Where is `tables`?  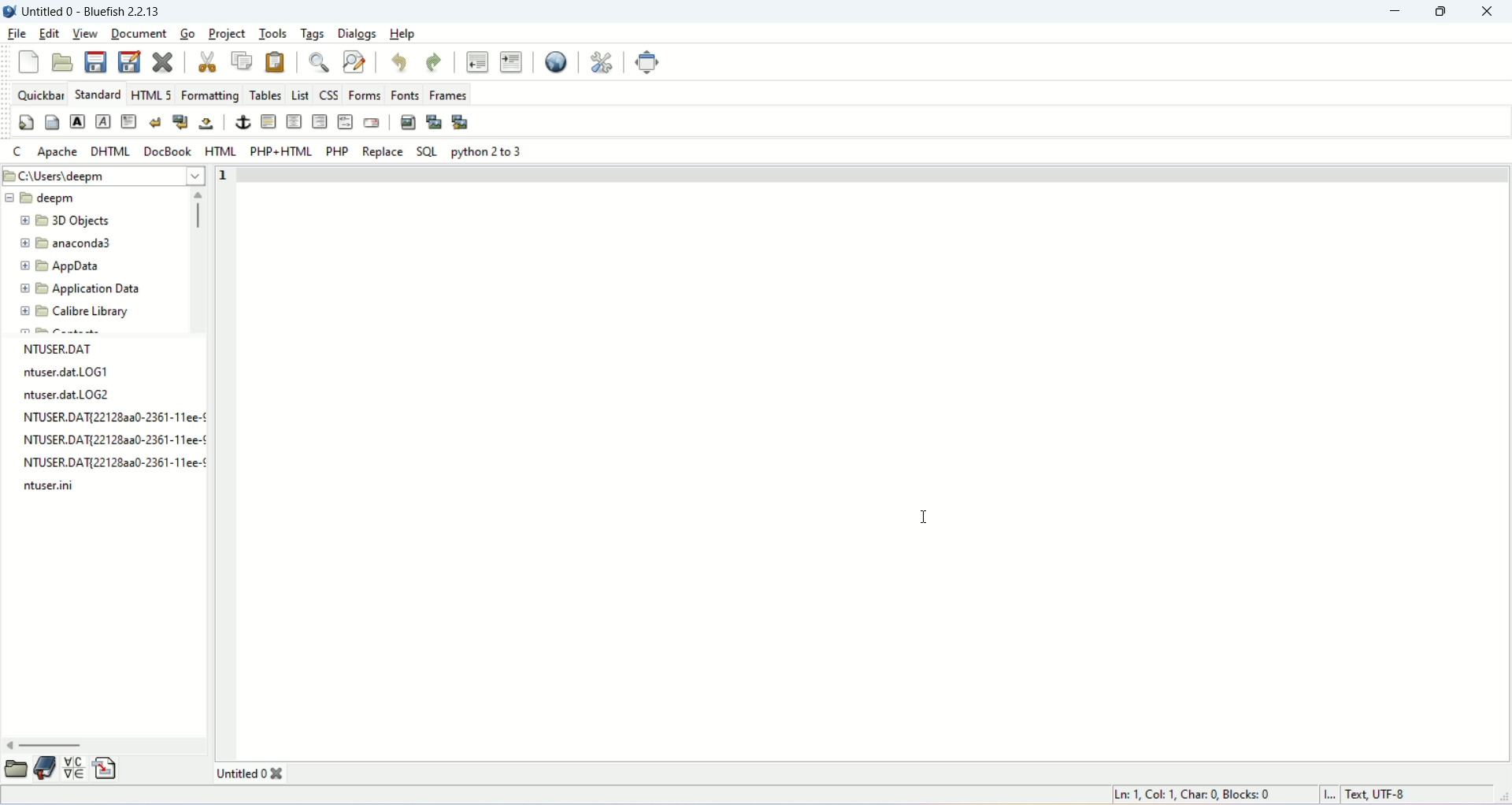
tables is located at coordinates (265, 94).